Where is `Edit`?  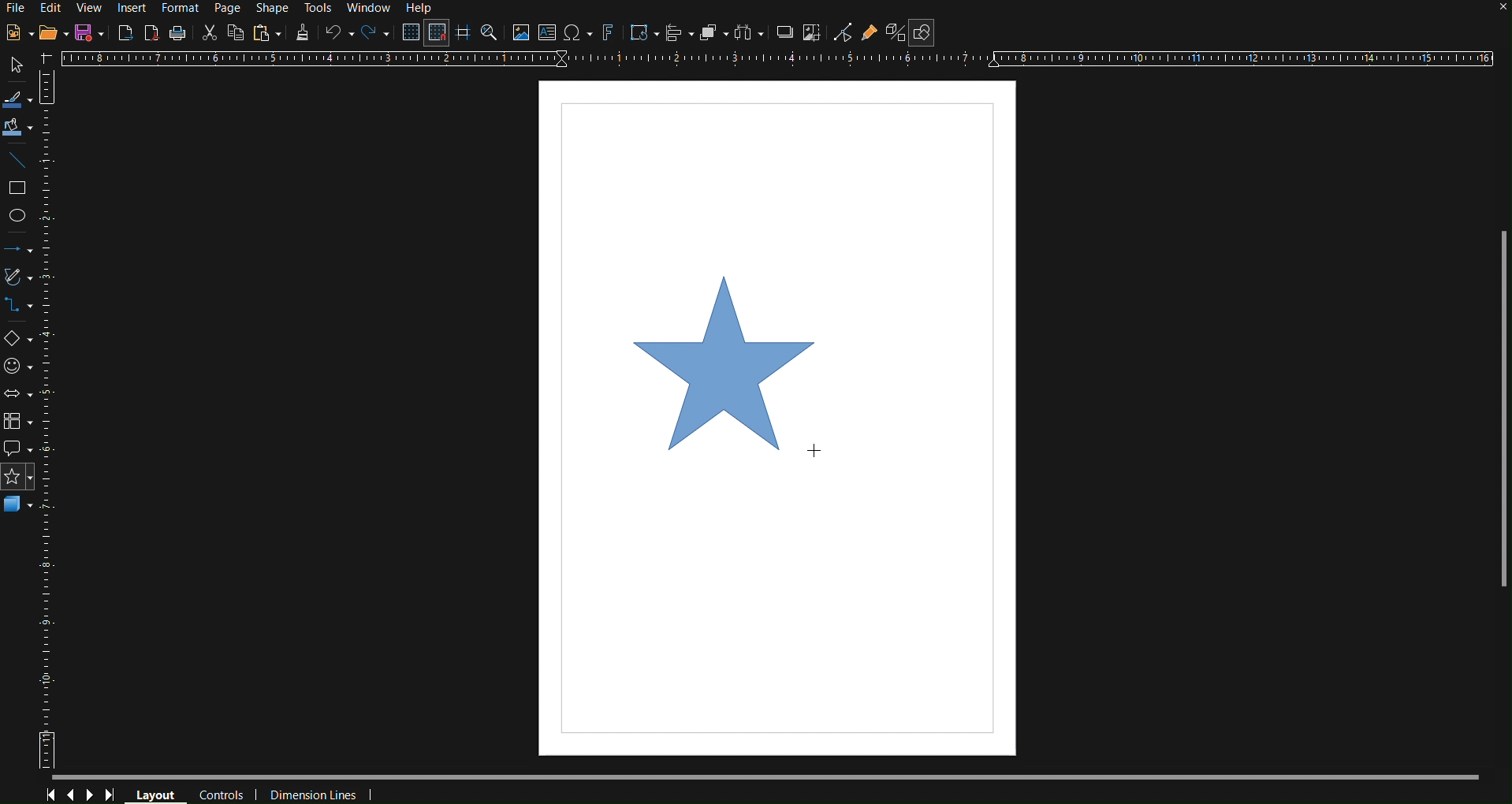 Edit is located at coordinates (54, 9).